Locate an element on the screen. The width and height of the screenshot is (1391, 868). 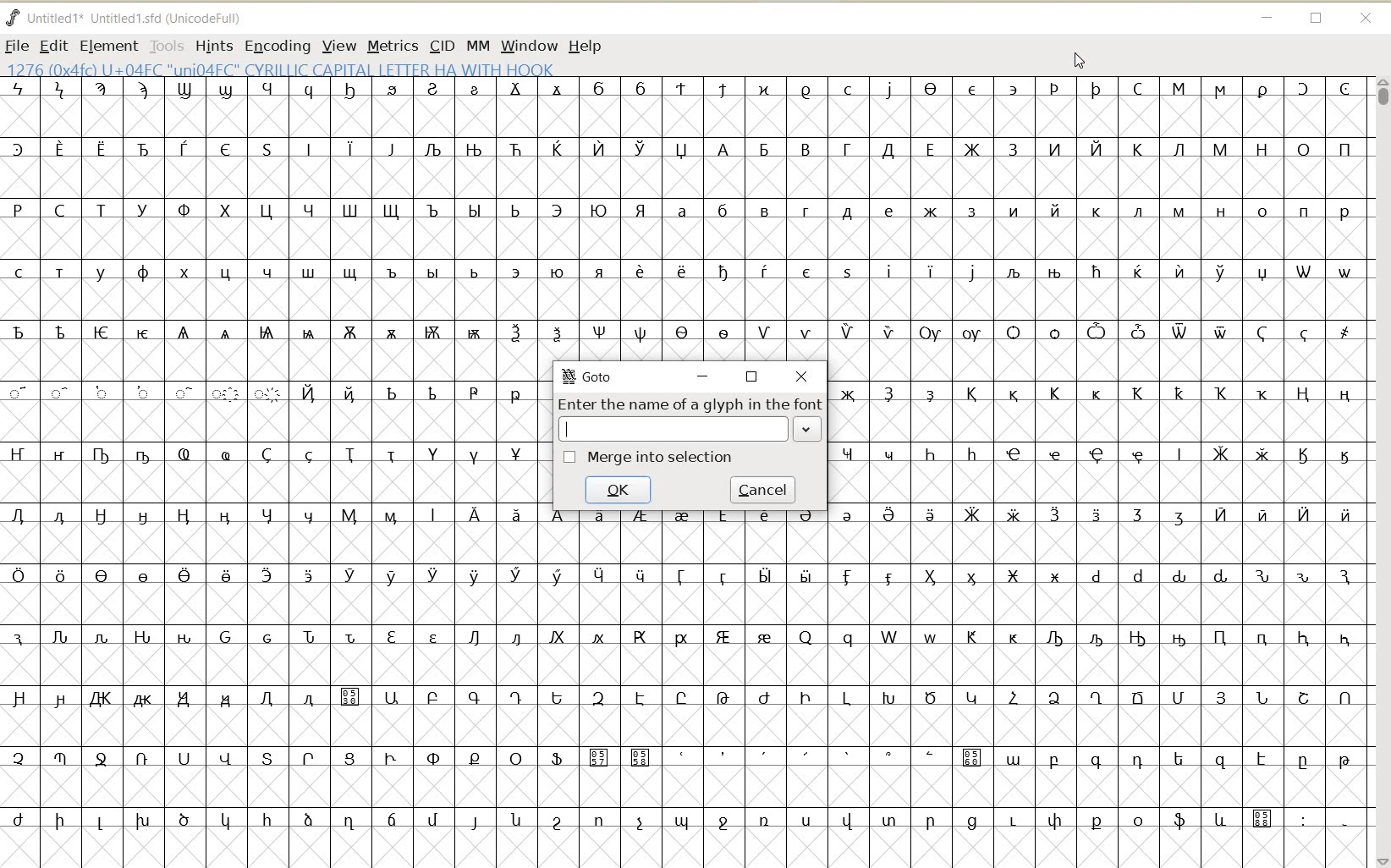
FILE is located at coordinates (16, 46).